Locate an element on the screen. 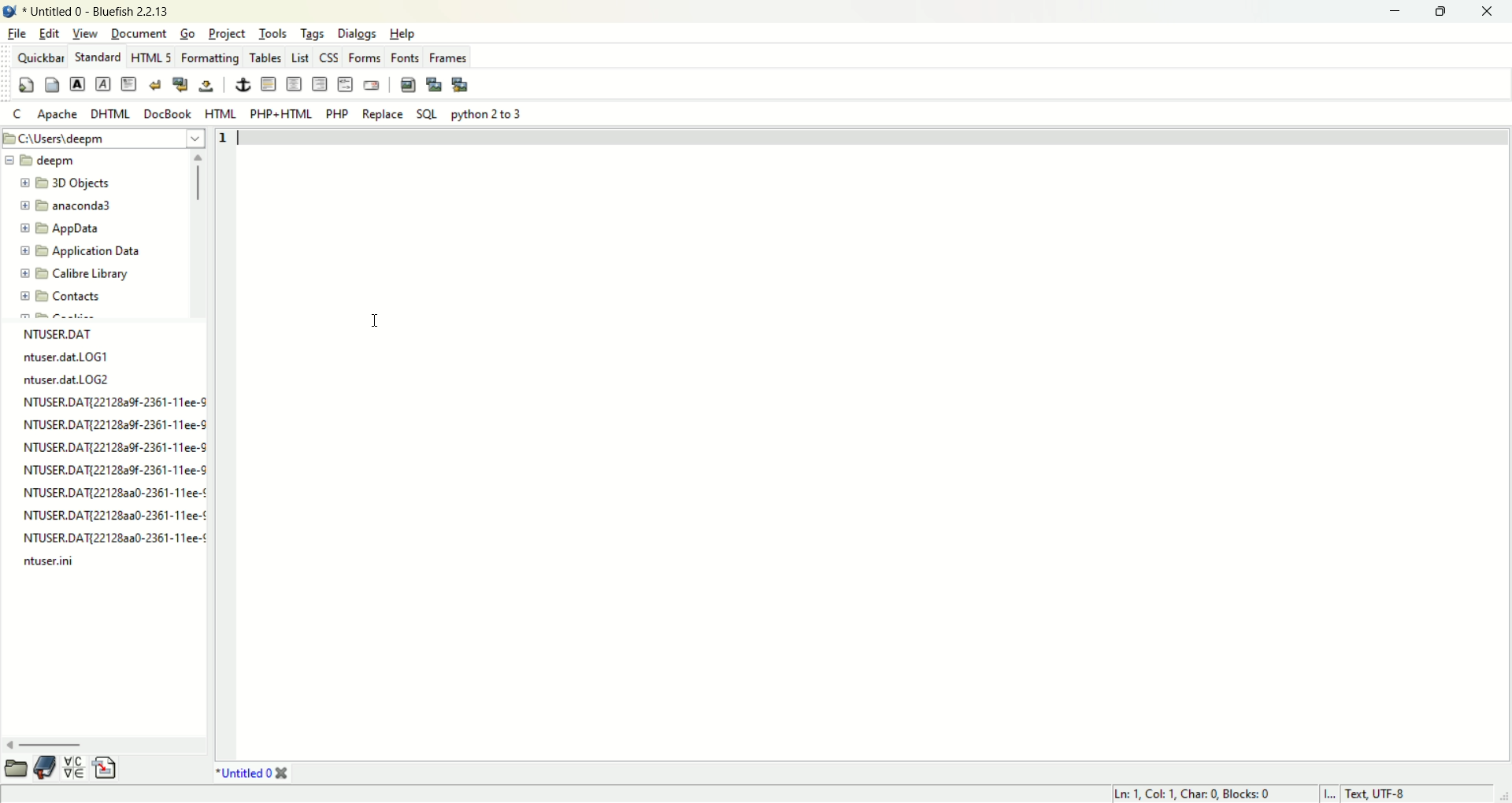 This screenshot has height=803, width=1512. horizontal scroll bar is located at coordinates (100, 743).